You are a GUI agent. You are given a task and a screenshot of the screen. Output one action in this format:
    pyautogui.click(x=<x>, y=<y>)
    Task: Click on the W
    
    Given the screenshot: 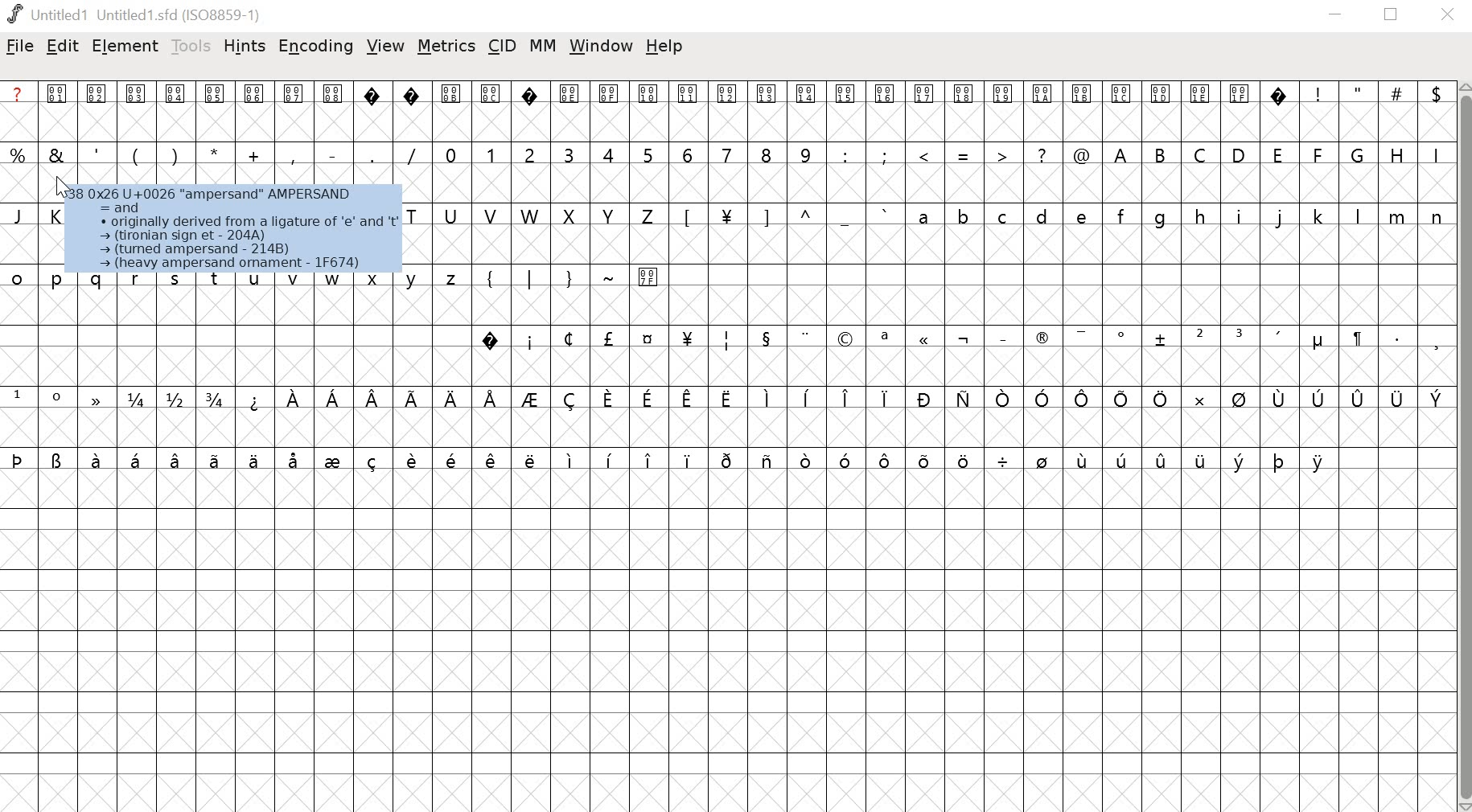 What is the action you would take?
    pyautogui.click(x=529, y=214)
    